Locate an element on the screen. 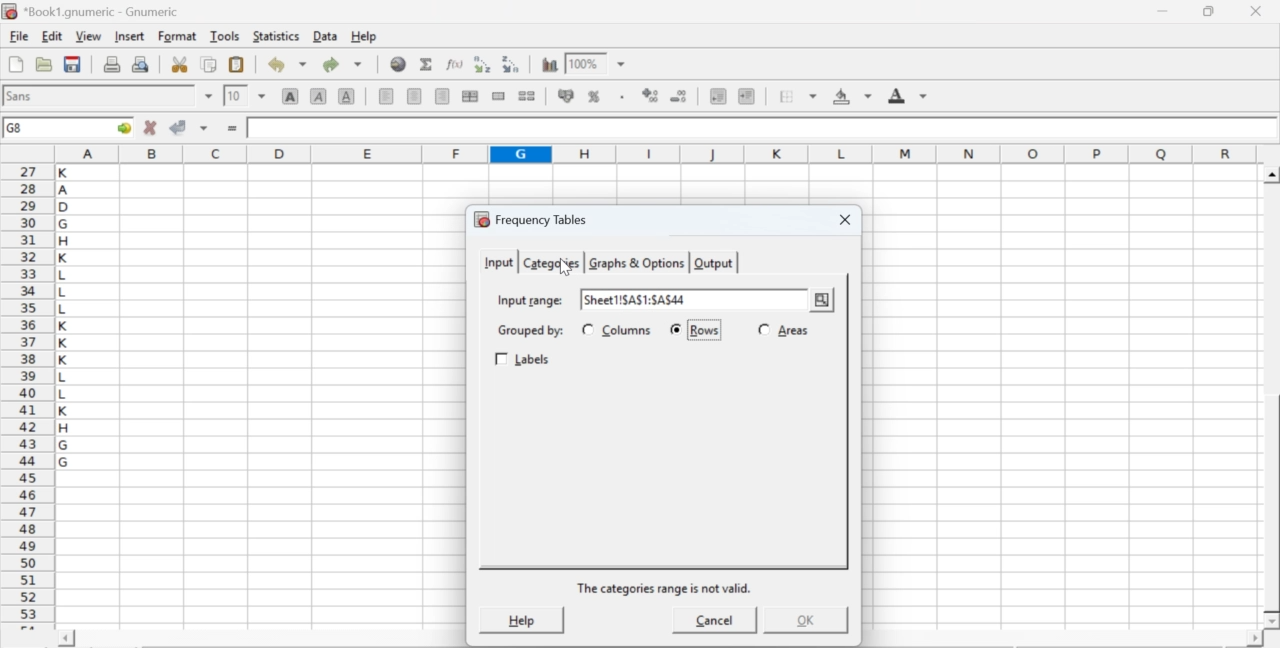  borders is located at coordinates (799, 96).